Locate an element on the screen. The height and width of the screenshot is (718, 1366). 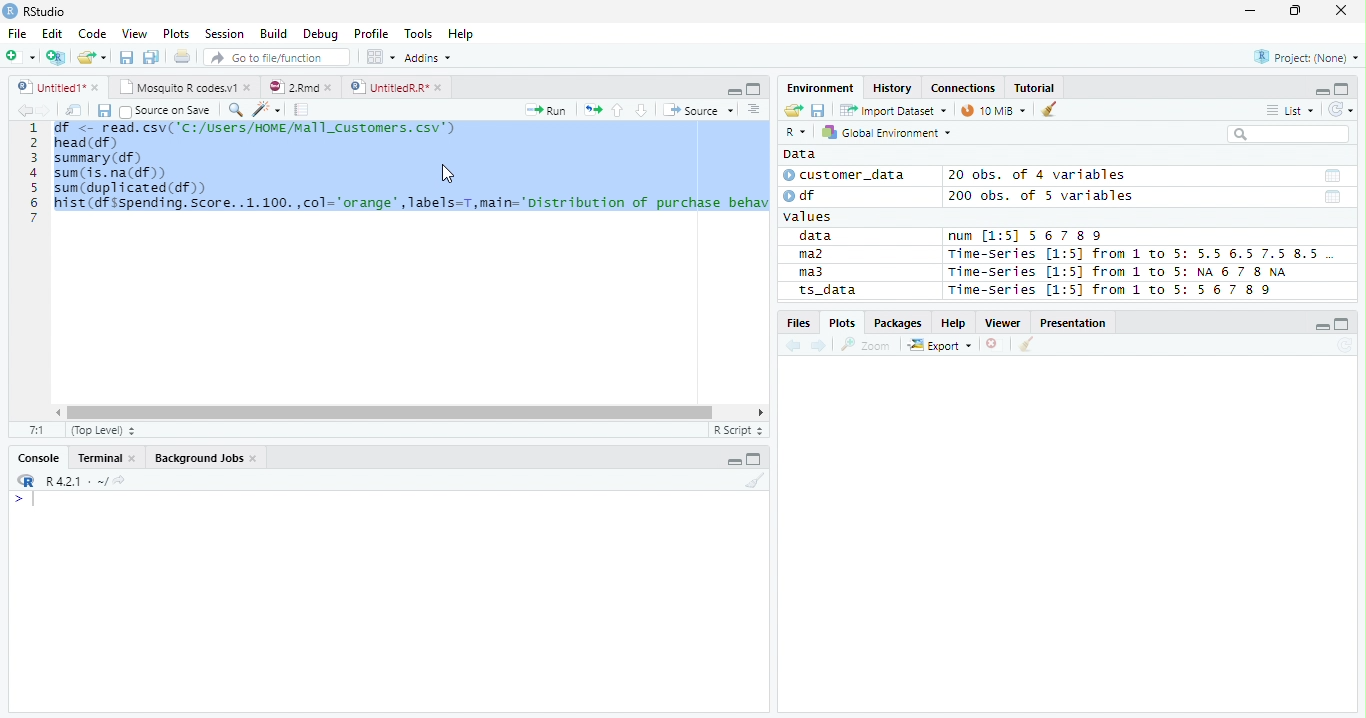
Minimize is located at coordinates (1249, 13).